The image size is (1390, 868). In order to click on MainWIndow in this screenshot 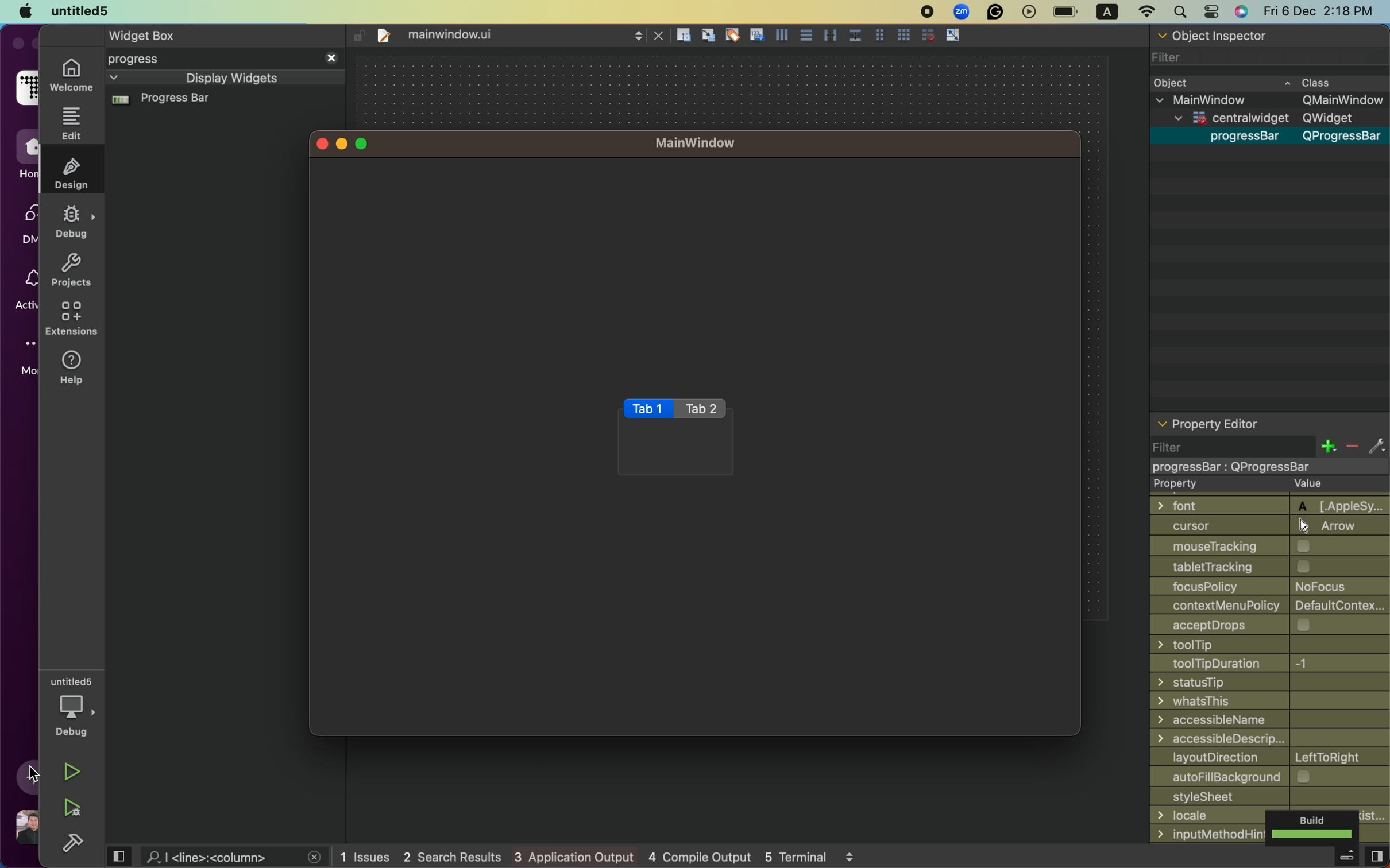, I will do `click(694, 142)`.